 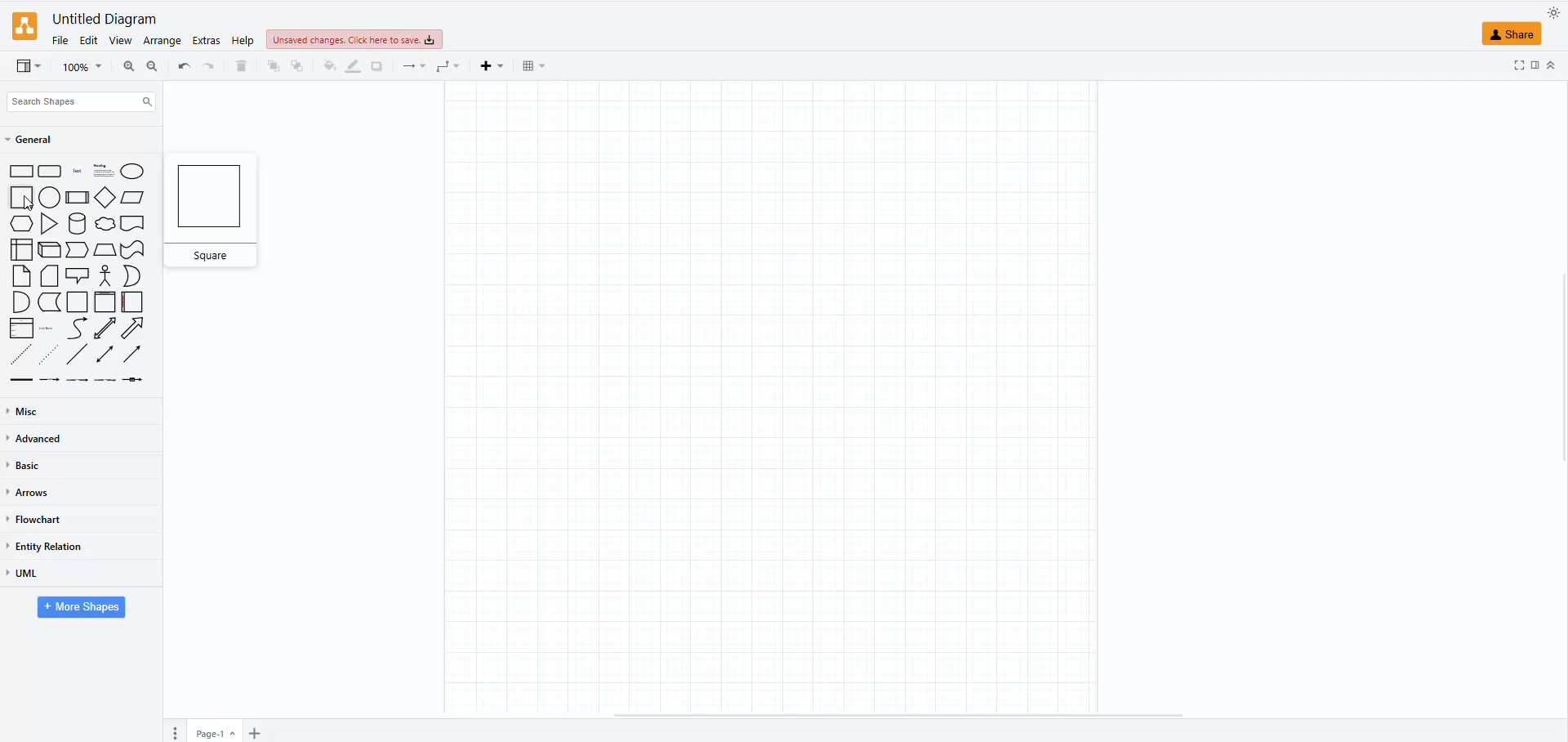 What do you see at coordinates (242, 69) in the screenshot?
I see `delete` at bounding box center [242, 69].